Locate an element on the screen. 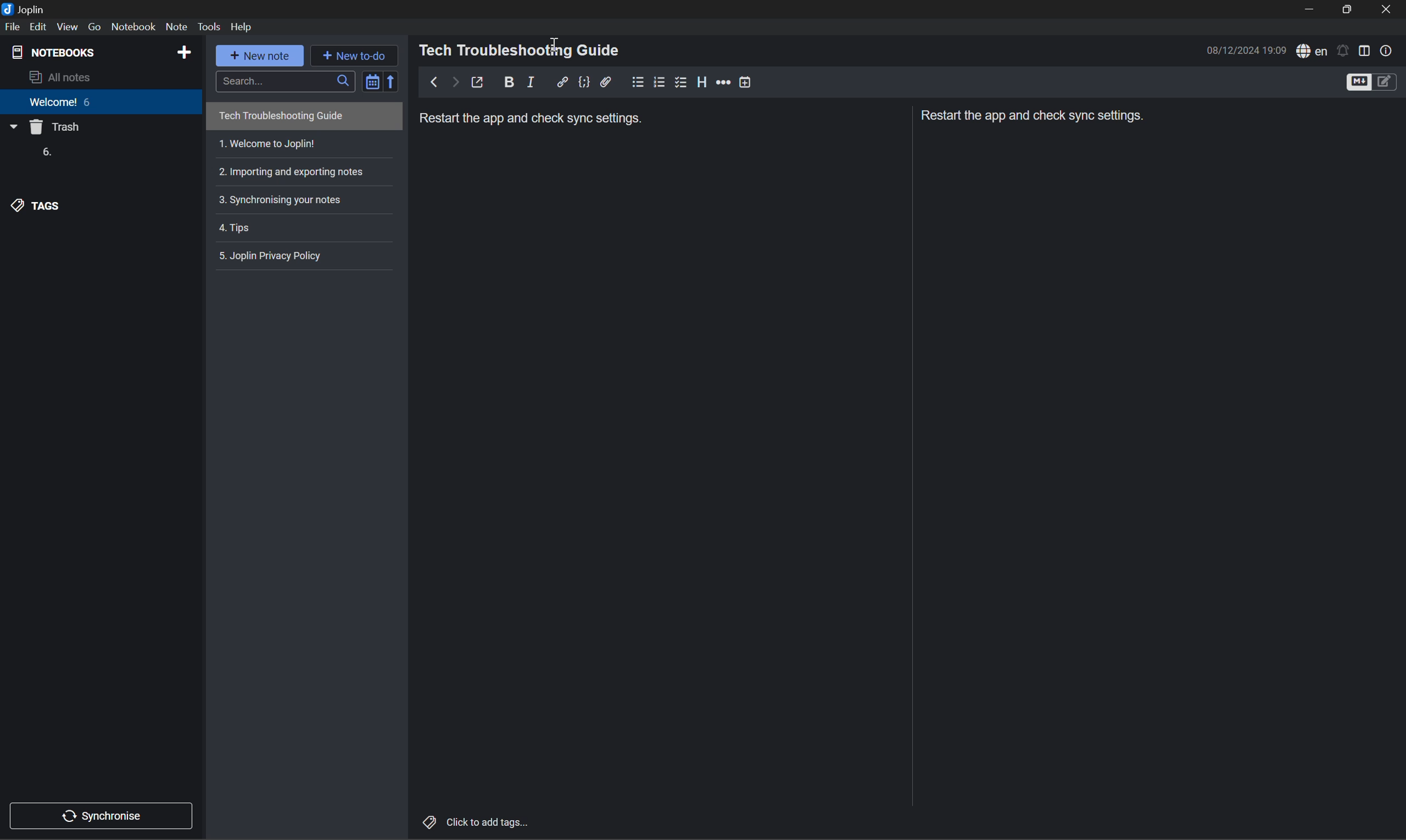  New to-do is located at coordinates (360, 55).